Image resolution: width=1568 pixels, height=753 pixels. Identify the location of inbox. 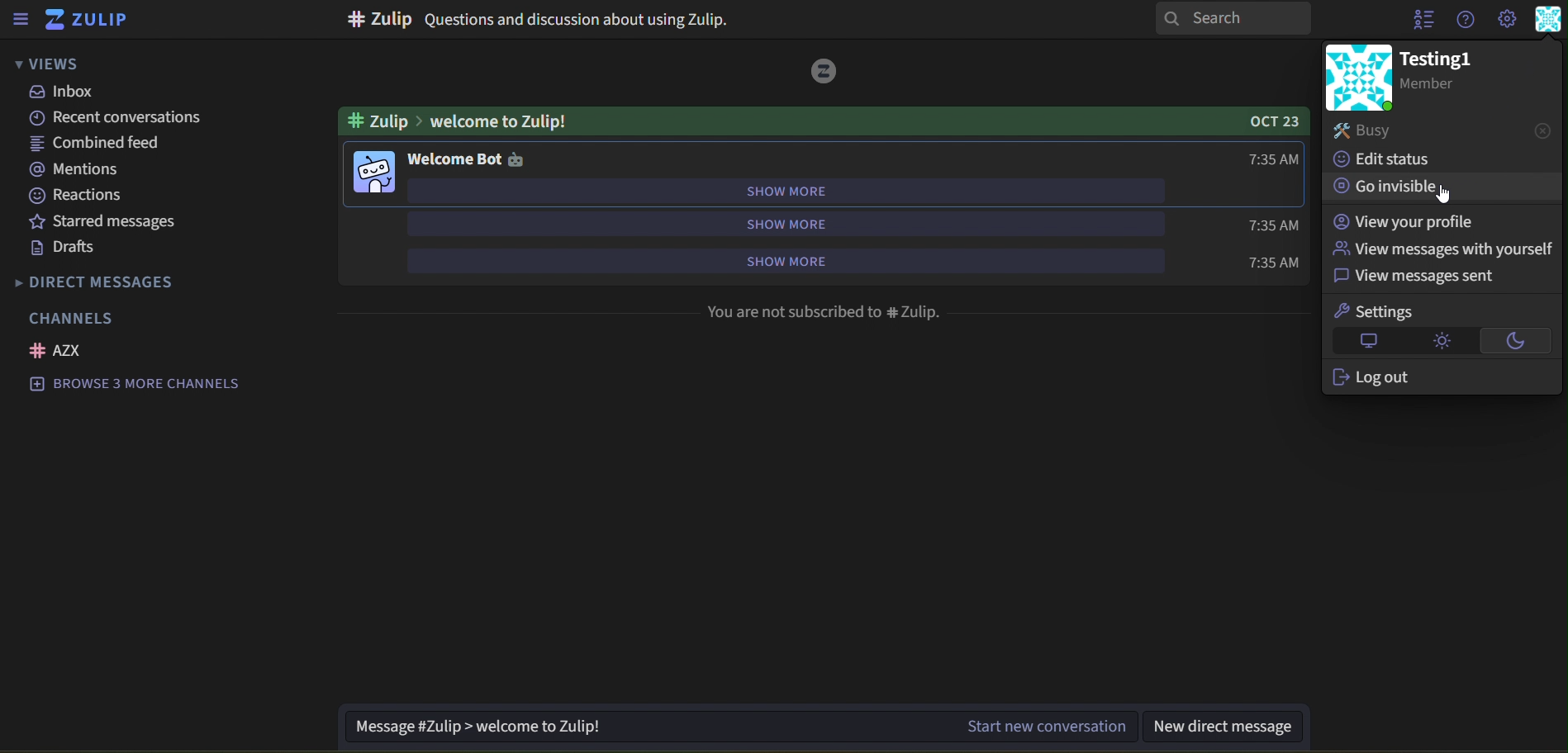
(62, 92).